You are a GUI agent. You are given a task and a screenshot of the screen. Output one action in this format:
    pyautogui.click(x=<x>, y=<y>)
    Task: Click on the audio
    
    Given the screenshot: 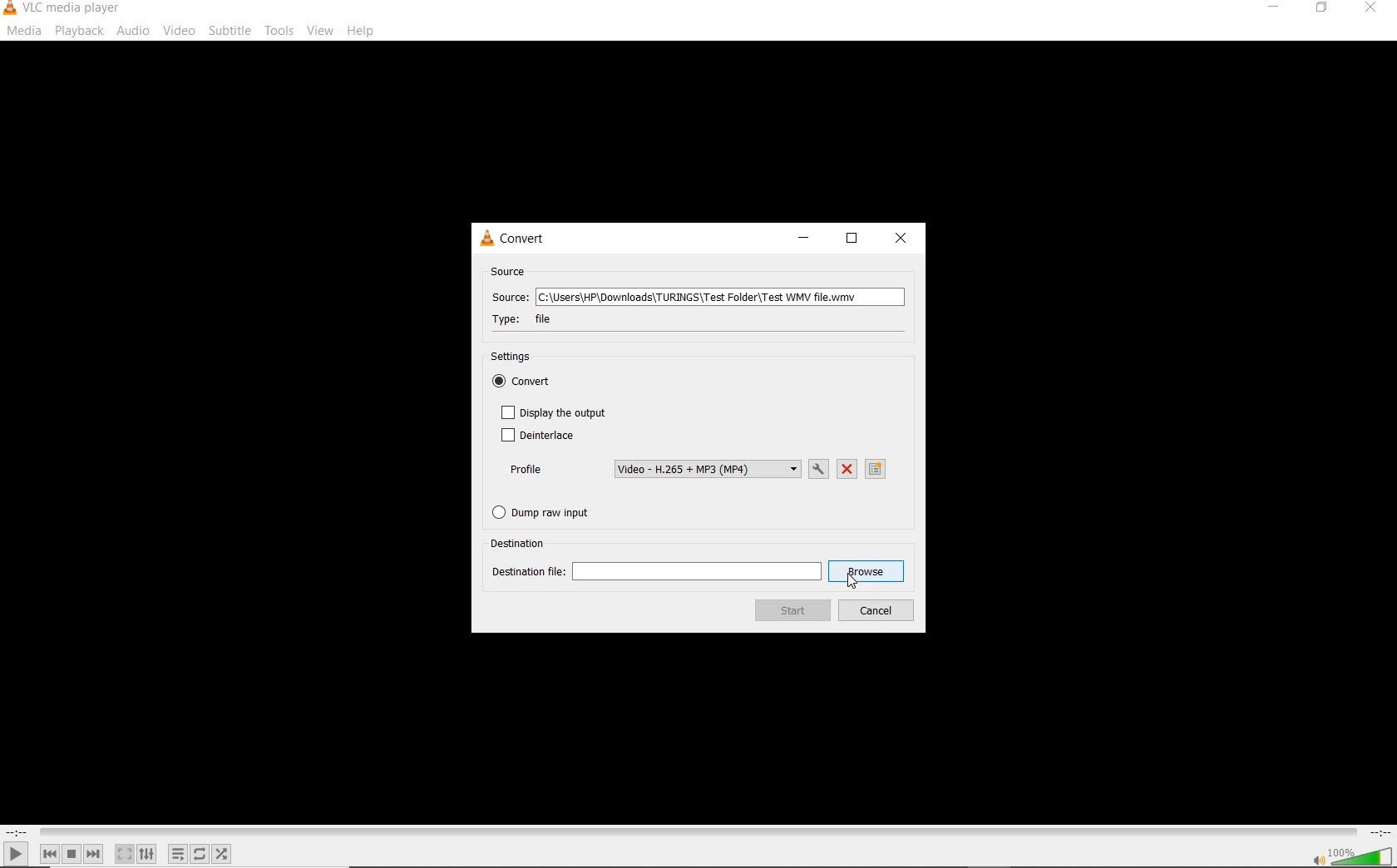 What is the action you would take?
    pyautogui.click(x=135, y=31)
    